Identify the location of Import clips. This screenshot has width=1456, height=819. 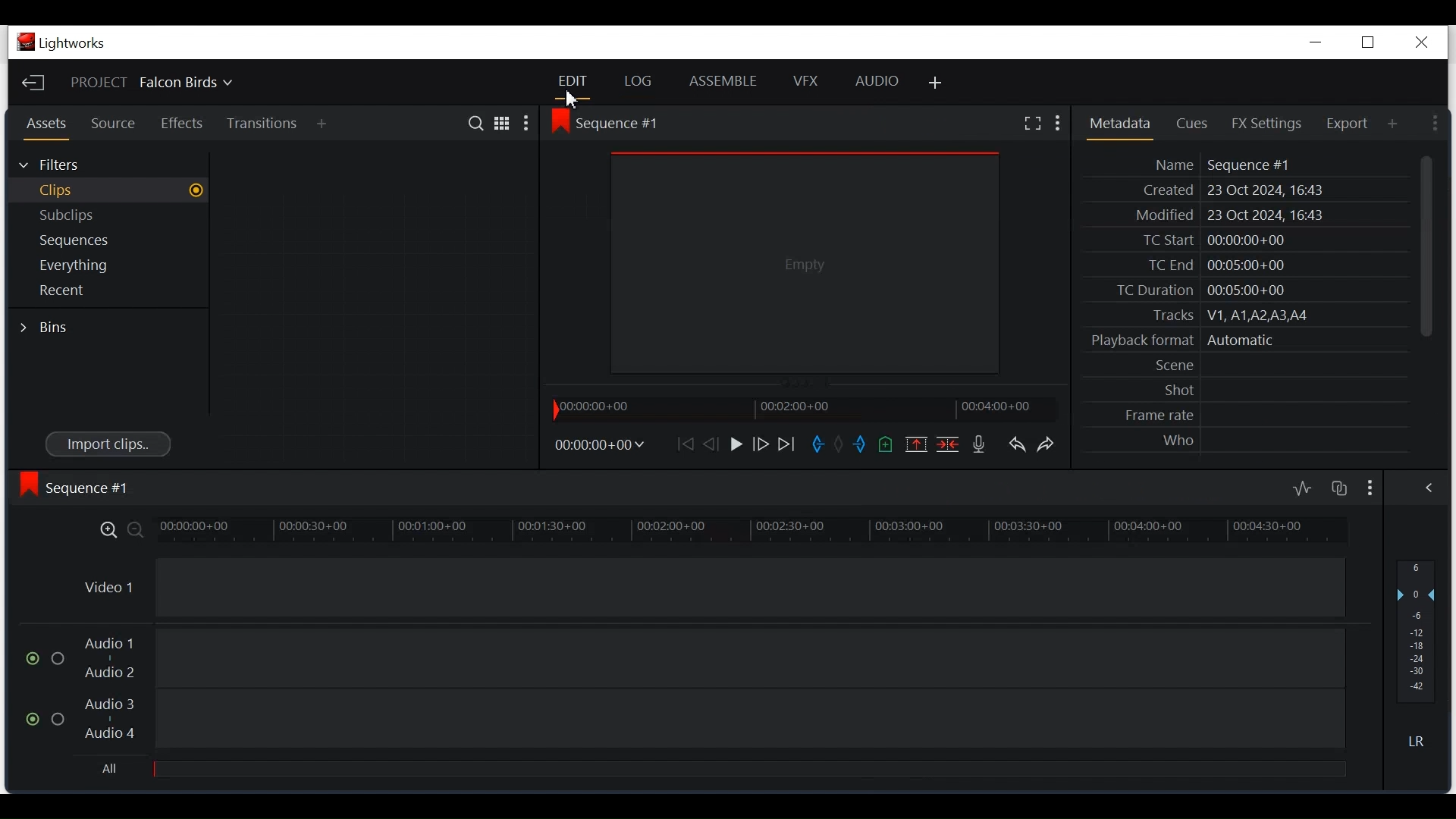
(106, 444).